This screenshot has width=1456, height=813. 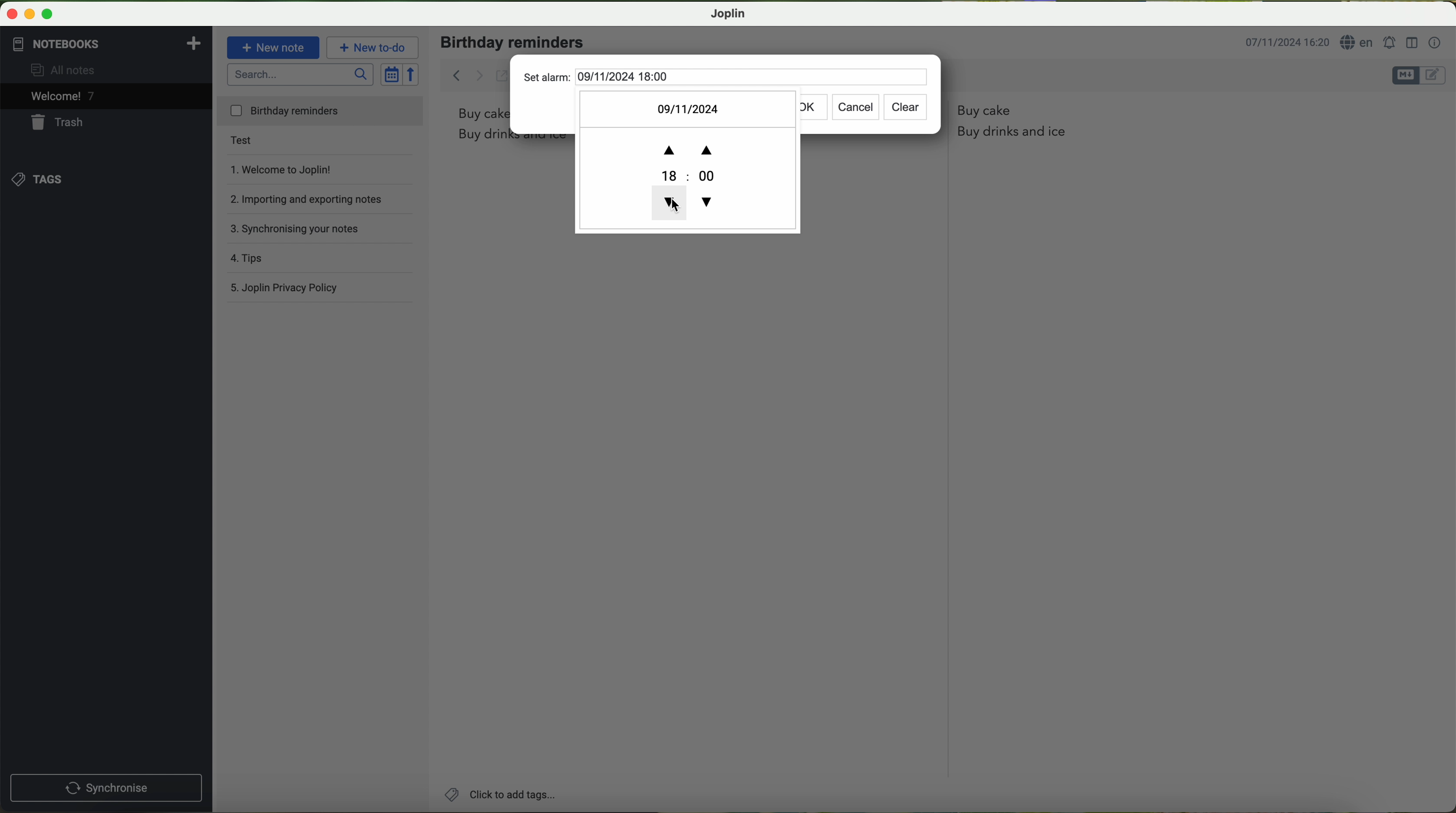 I want to click on date and hour, so click(x=1288, y=42).